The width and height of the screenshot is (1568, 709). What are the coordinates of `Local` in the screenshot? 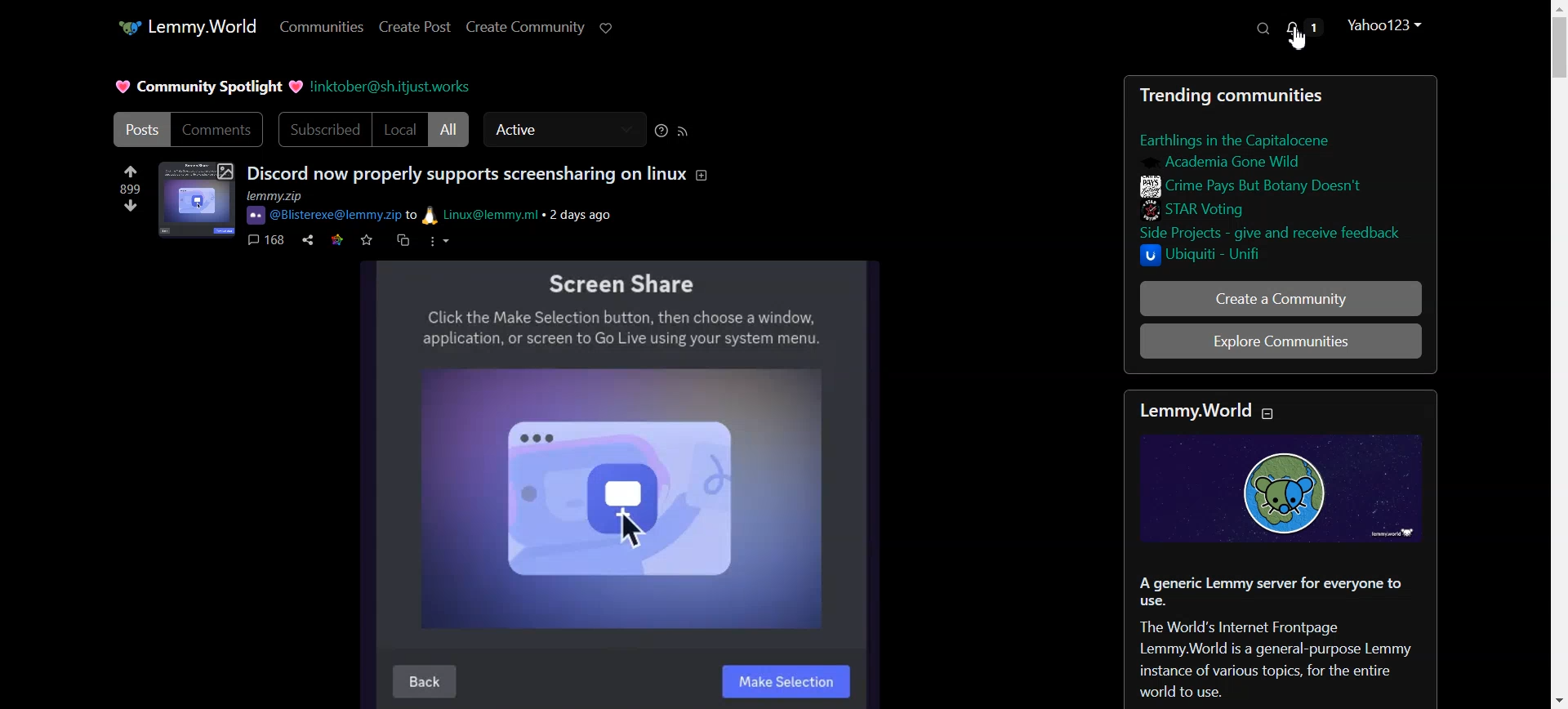 It's located at (399, 129).